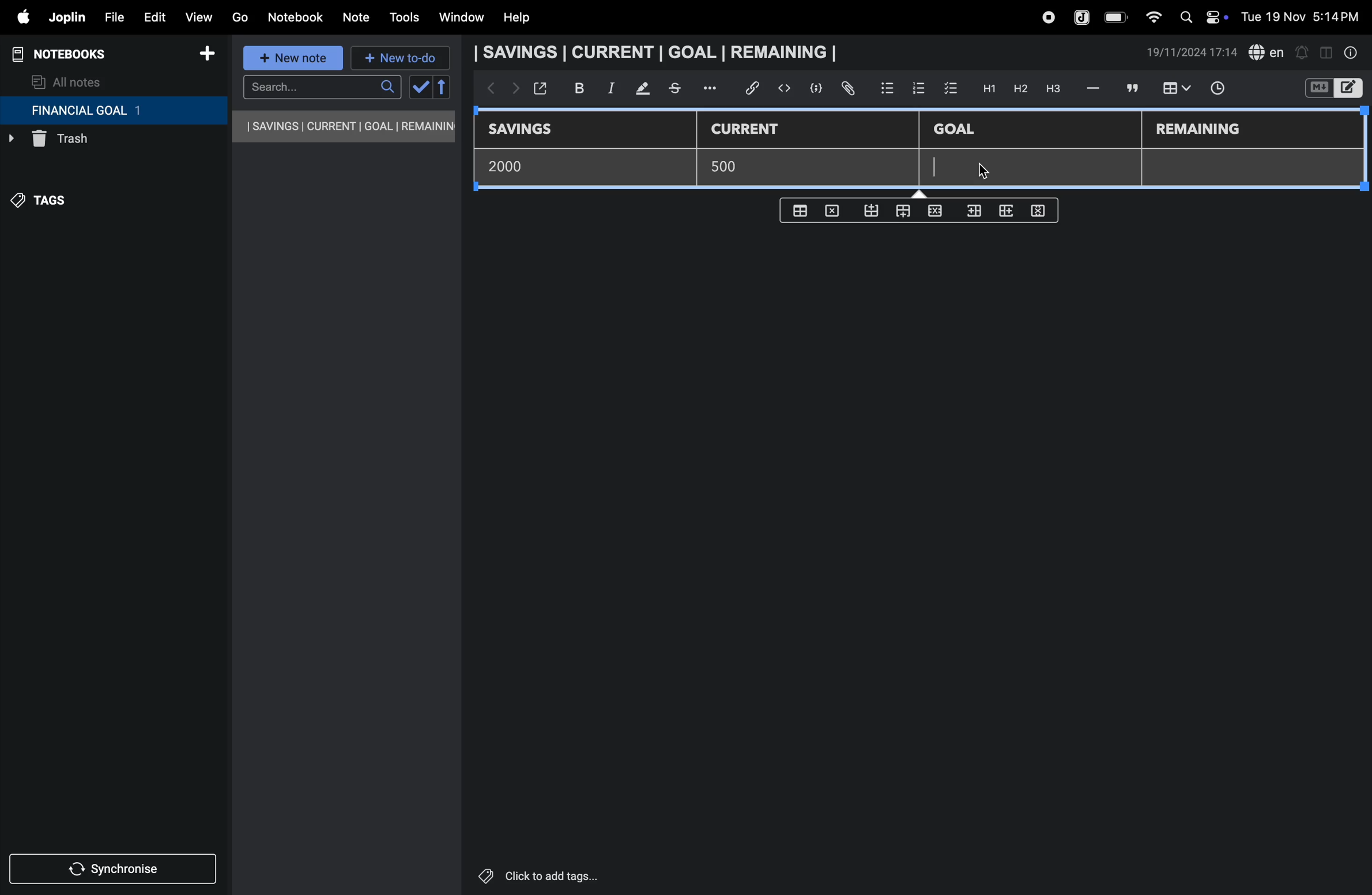 The image size is (1372, 895). What do you see at coordinates (47, 206) in the screenshot?
I see `tags` at bounding box center [47, 206].